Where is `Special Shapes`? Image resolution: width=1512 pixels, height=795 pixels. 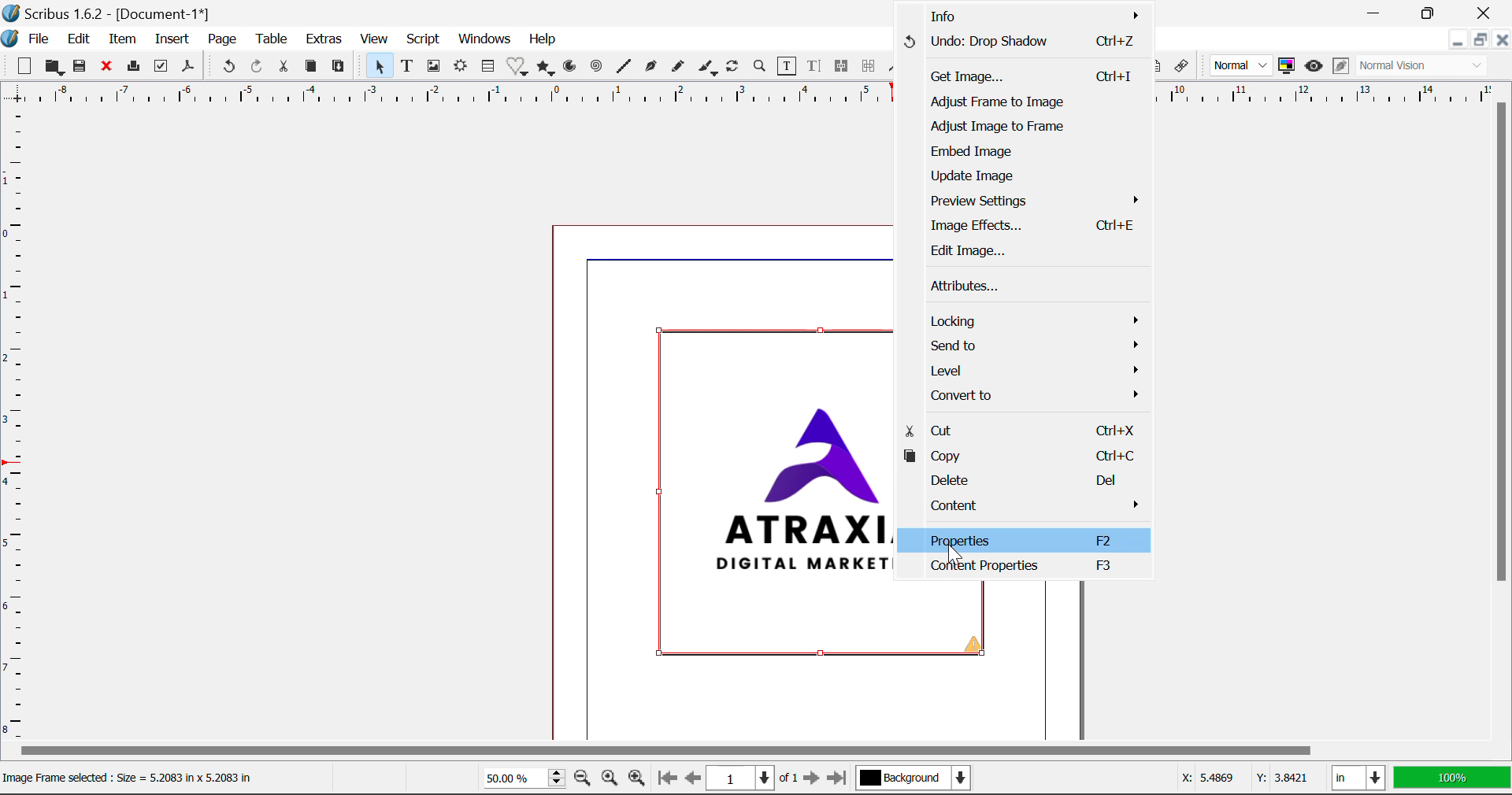
Special Shapes is located at coordinates (520, 68).